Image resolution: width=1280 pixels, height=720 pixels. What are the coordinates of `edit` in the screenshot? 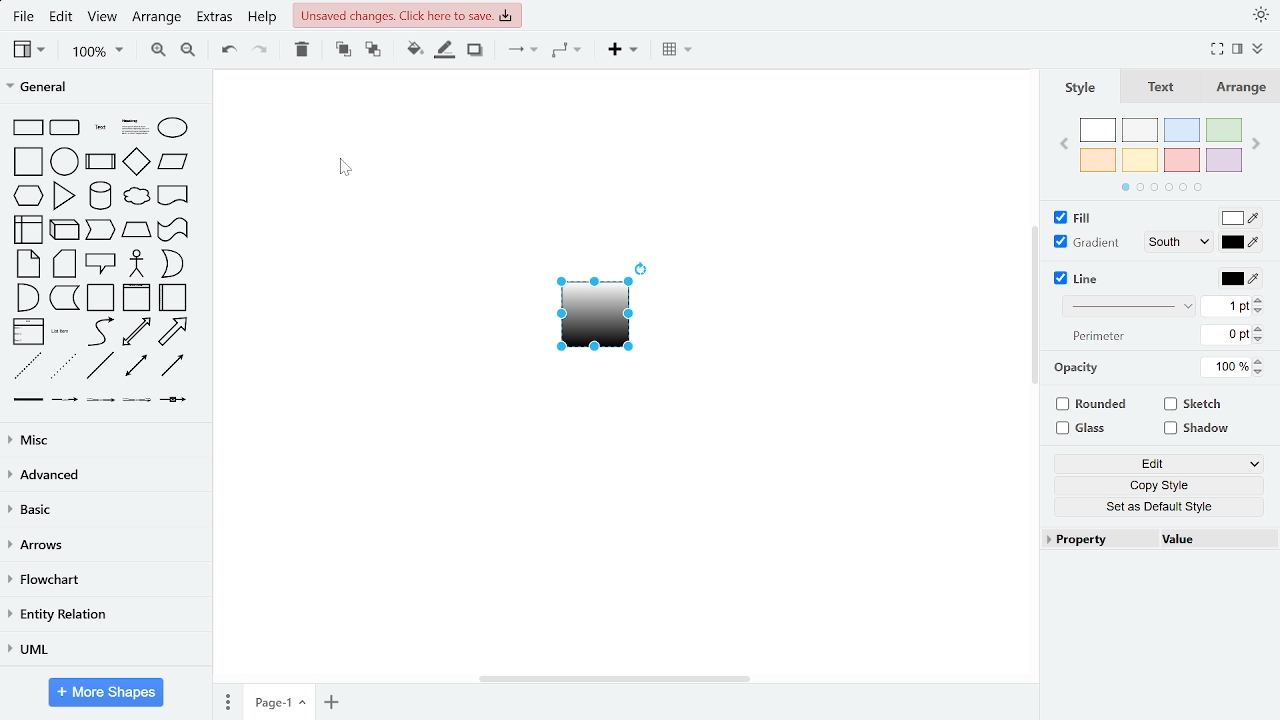 It's located at (59, 17).